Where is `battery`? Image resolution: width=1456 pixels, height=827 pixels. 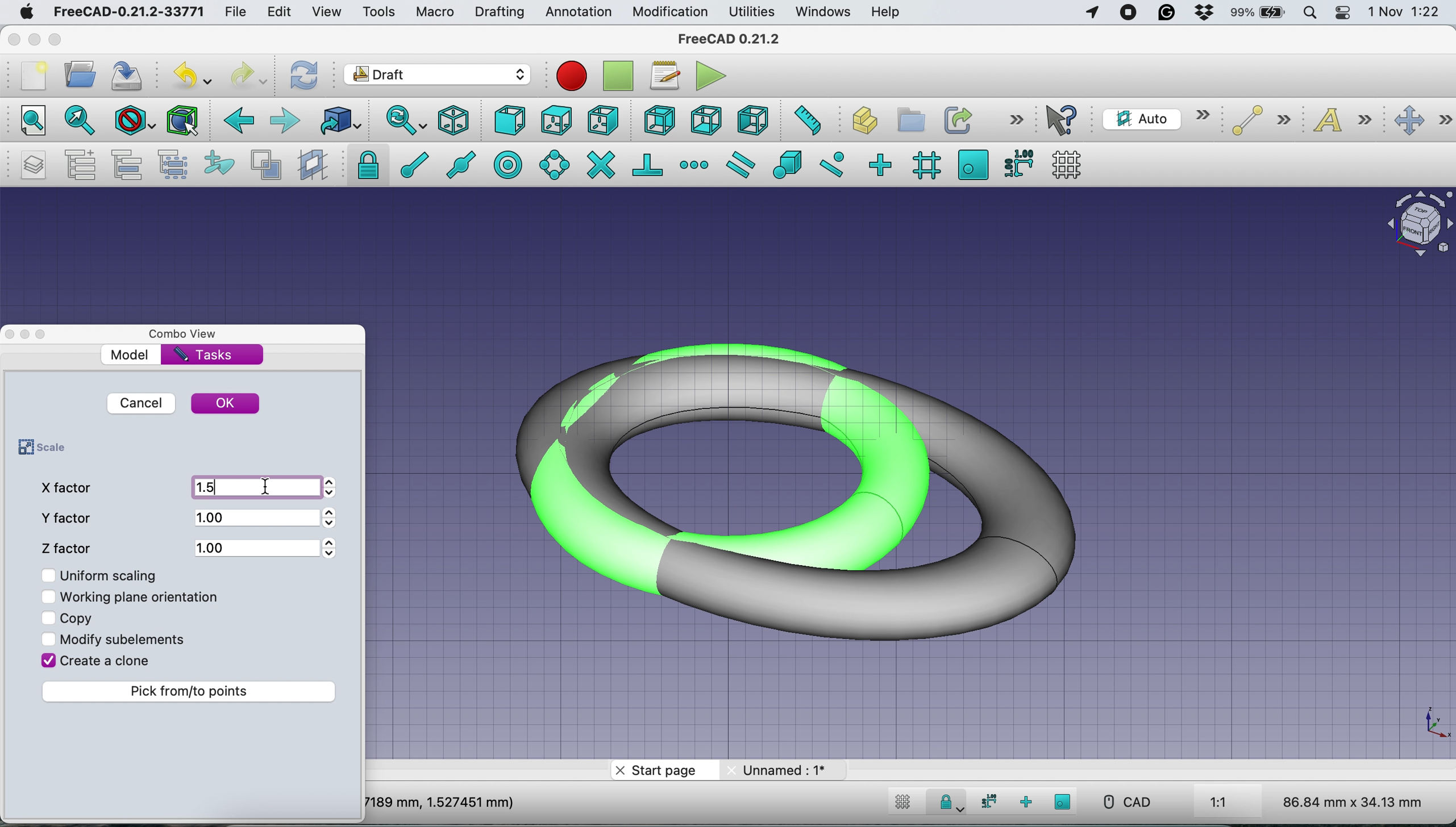 battery is located at coordinates (1259, 14).